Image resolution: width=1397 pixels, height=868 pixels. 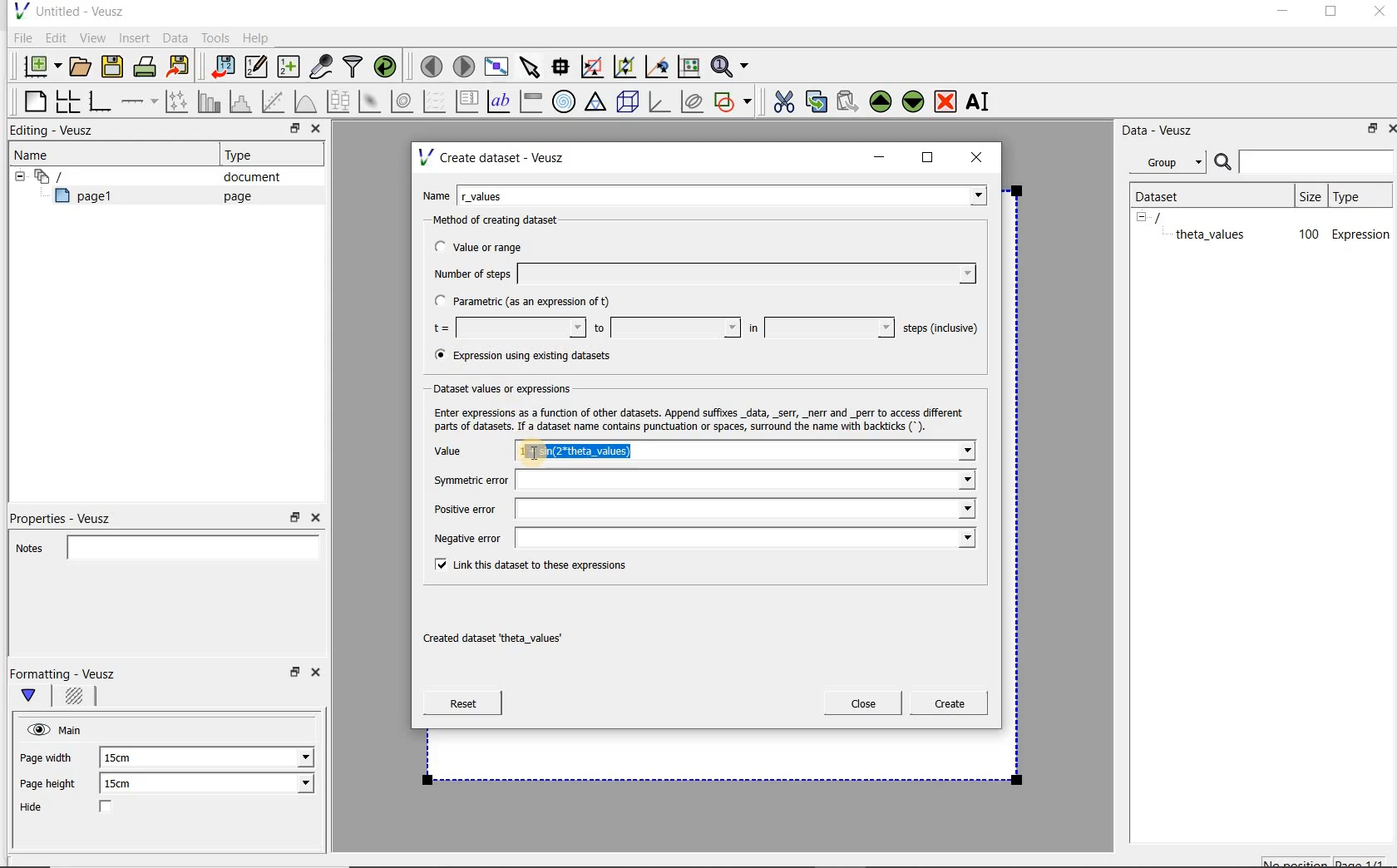 I want to click on Reset, so click(x=462, y=703).